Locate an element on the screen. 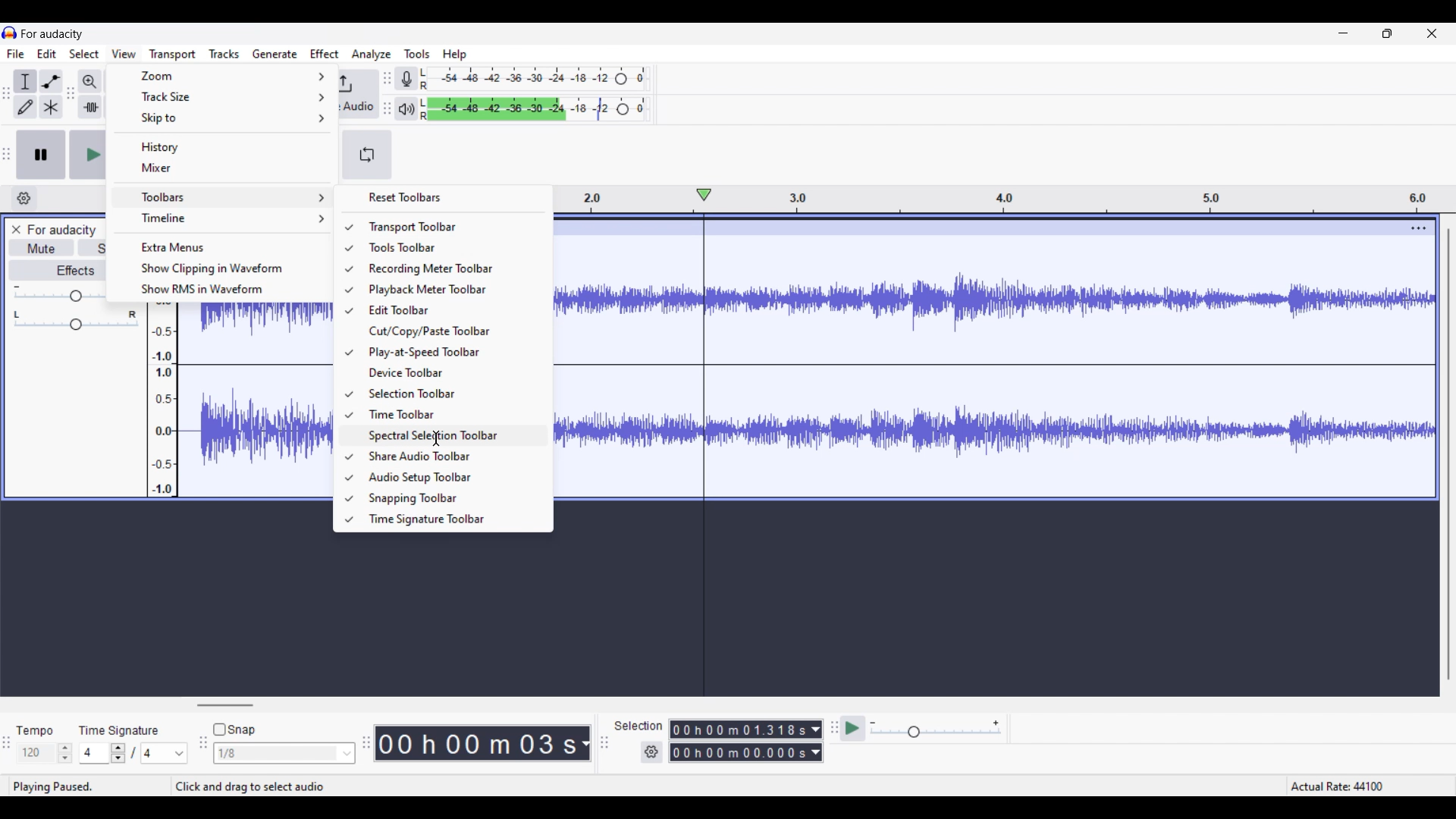  Draw tool is located at coordinates (25, 107).